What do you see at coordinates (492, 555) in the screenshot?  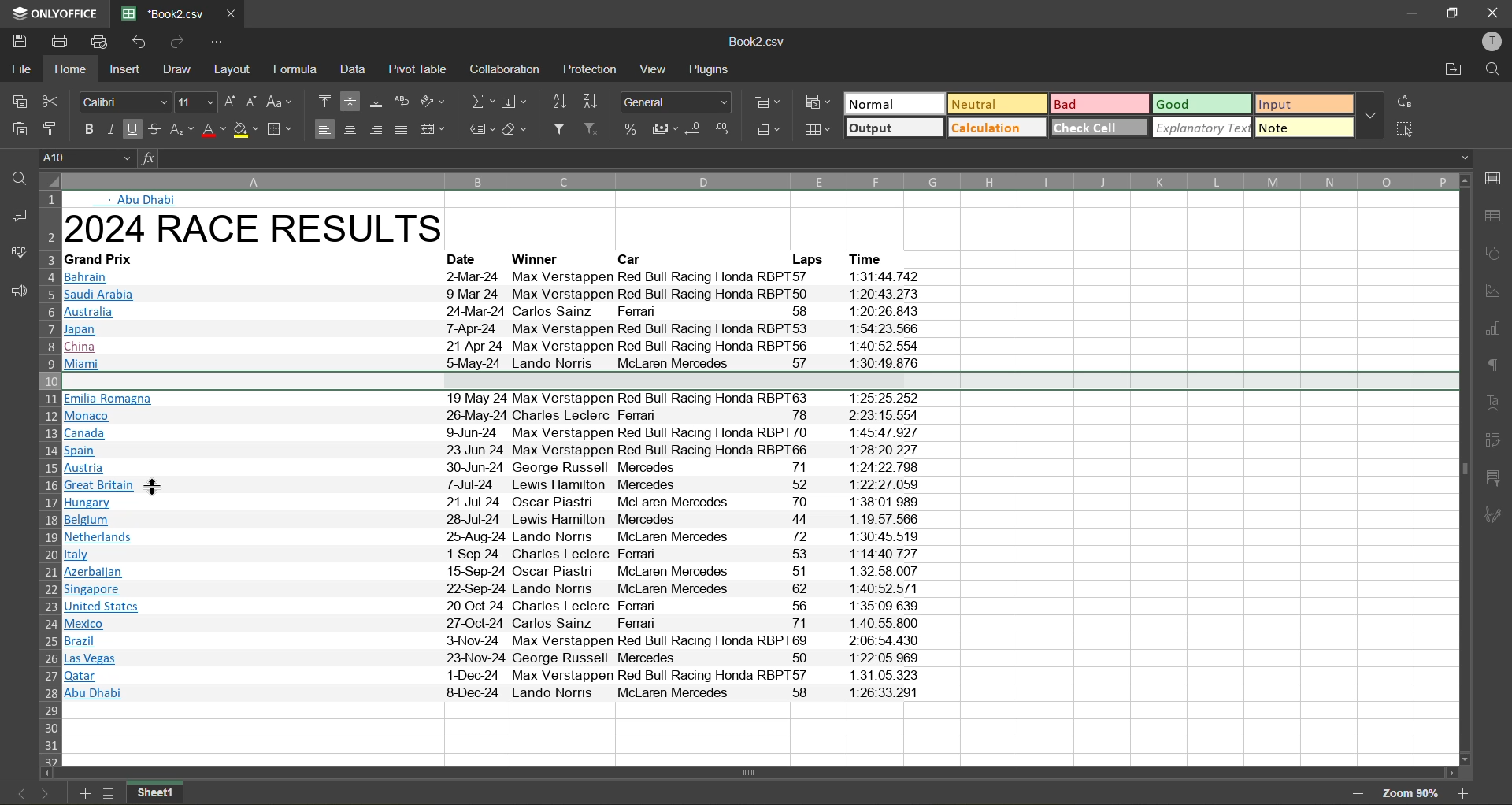 I see `Italy 1-Sep-24 Charles Leclerc Ferran 53 1:14:40.727` at bounding box center [492, 555].